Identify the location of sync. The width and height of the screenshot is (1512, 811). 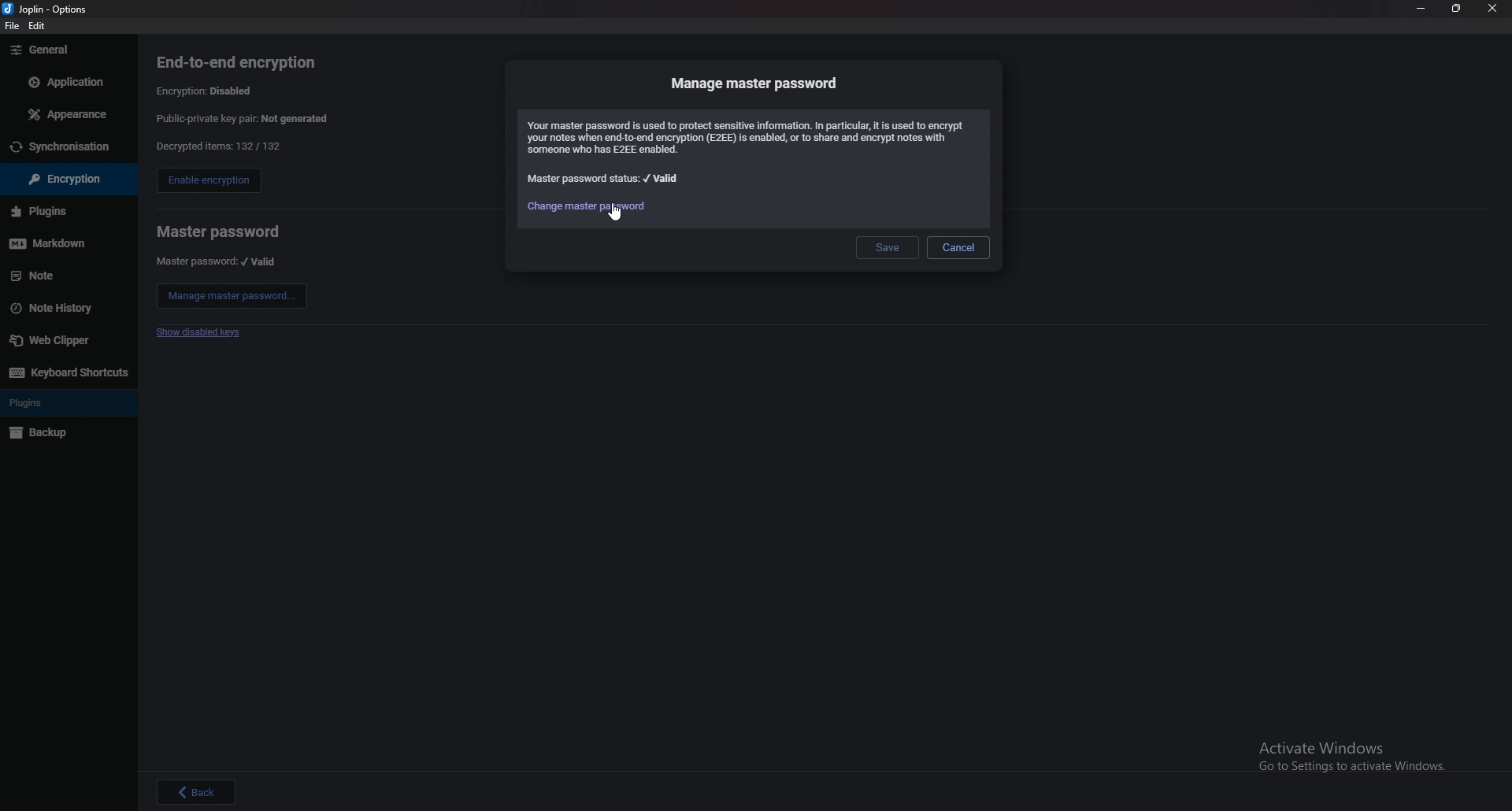
(67, 147).